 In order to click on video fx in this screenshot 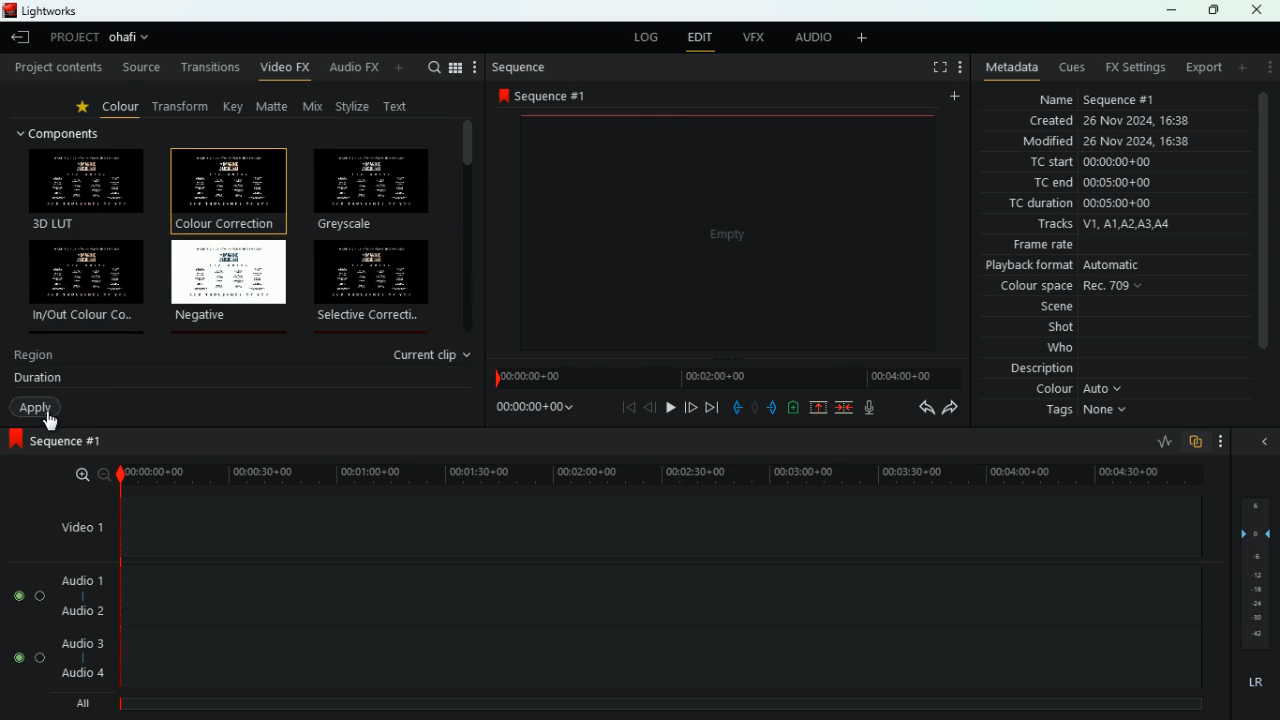, I will do `click(286, 69)`.